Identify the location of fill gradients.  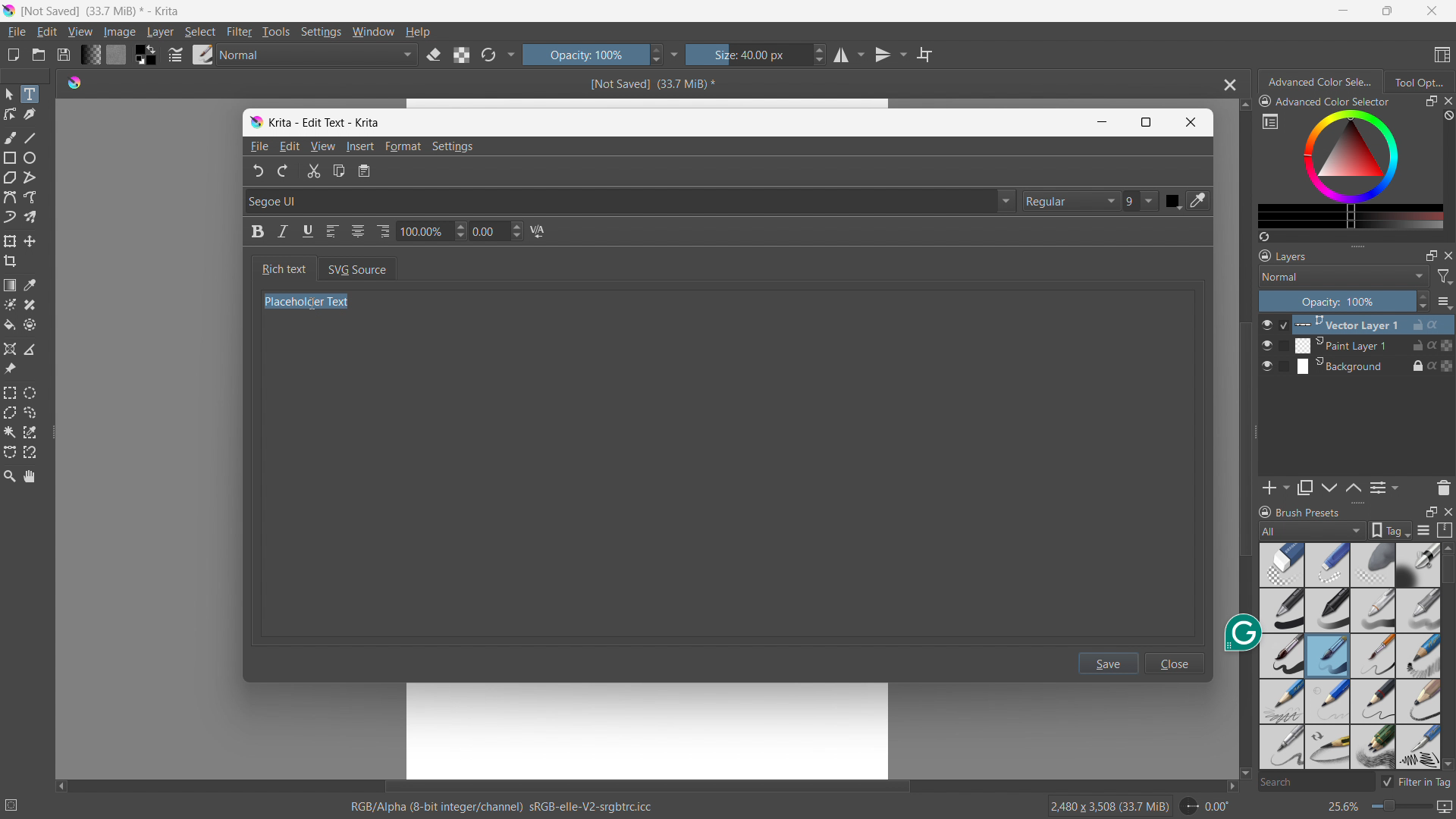
(90, 54).